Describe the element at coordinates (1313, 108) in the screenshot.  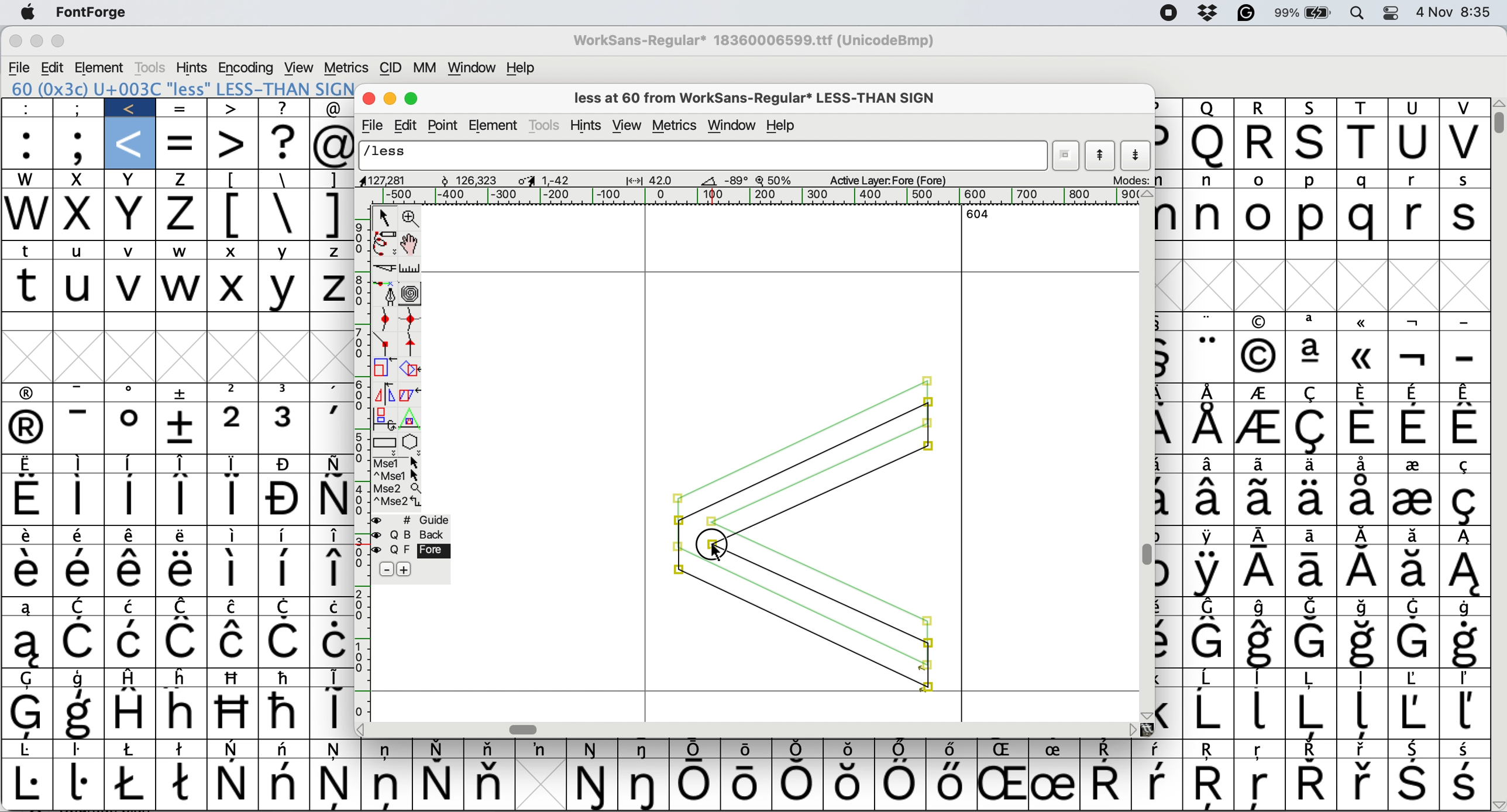
I see `s` at that location.